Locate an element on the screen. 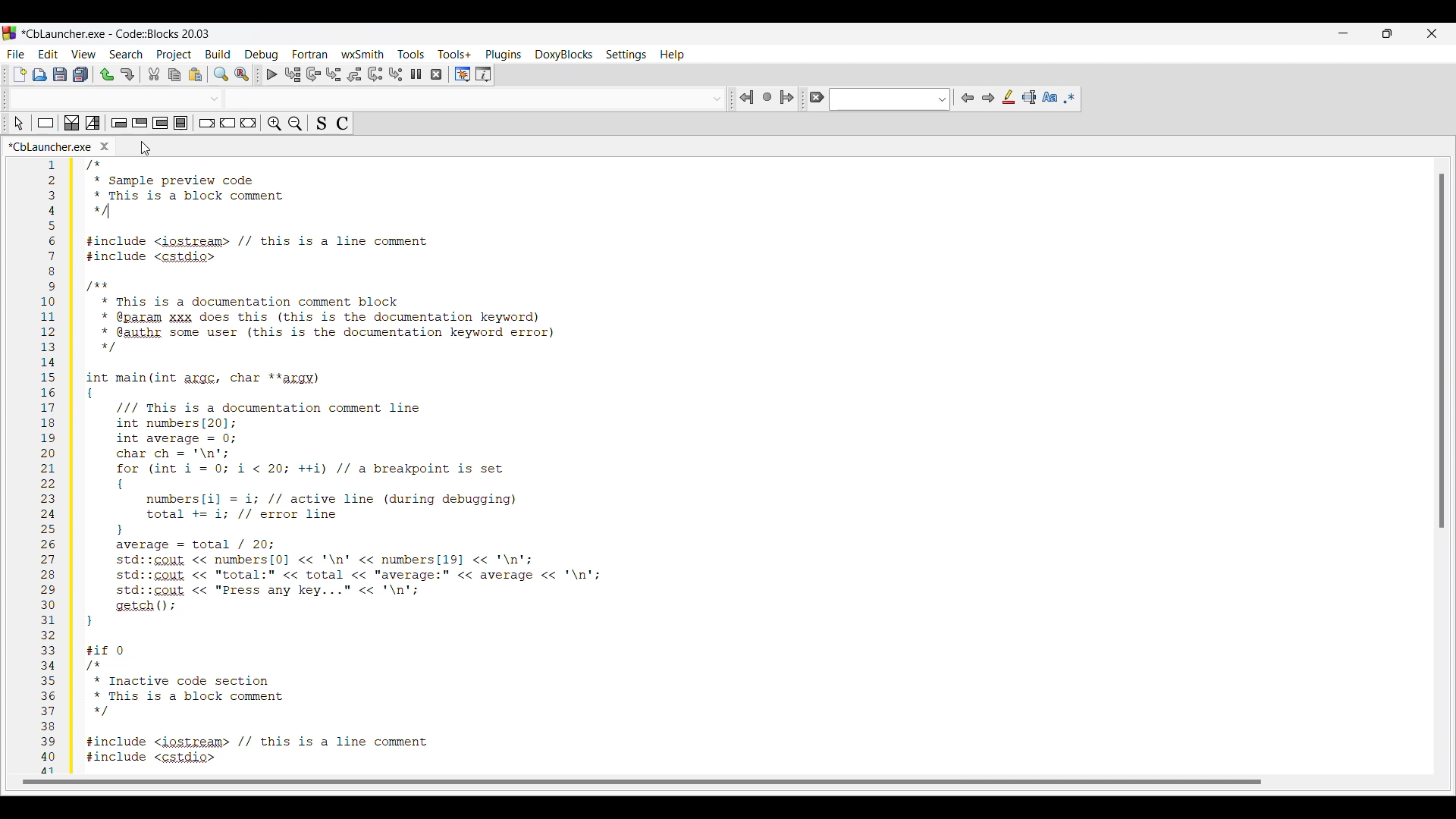 This screenshot has height=819, width=1456. Search menu is located at coordinates (126, 54).